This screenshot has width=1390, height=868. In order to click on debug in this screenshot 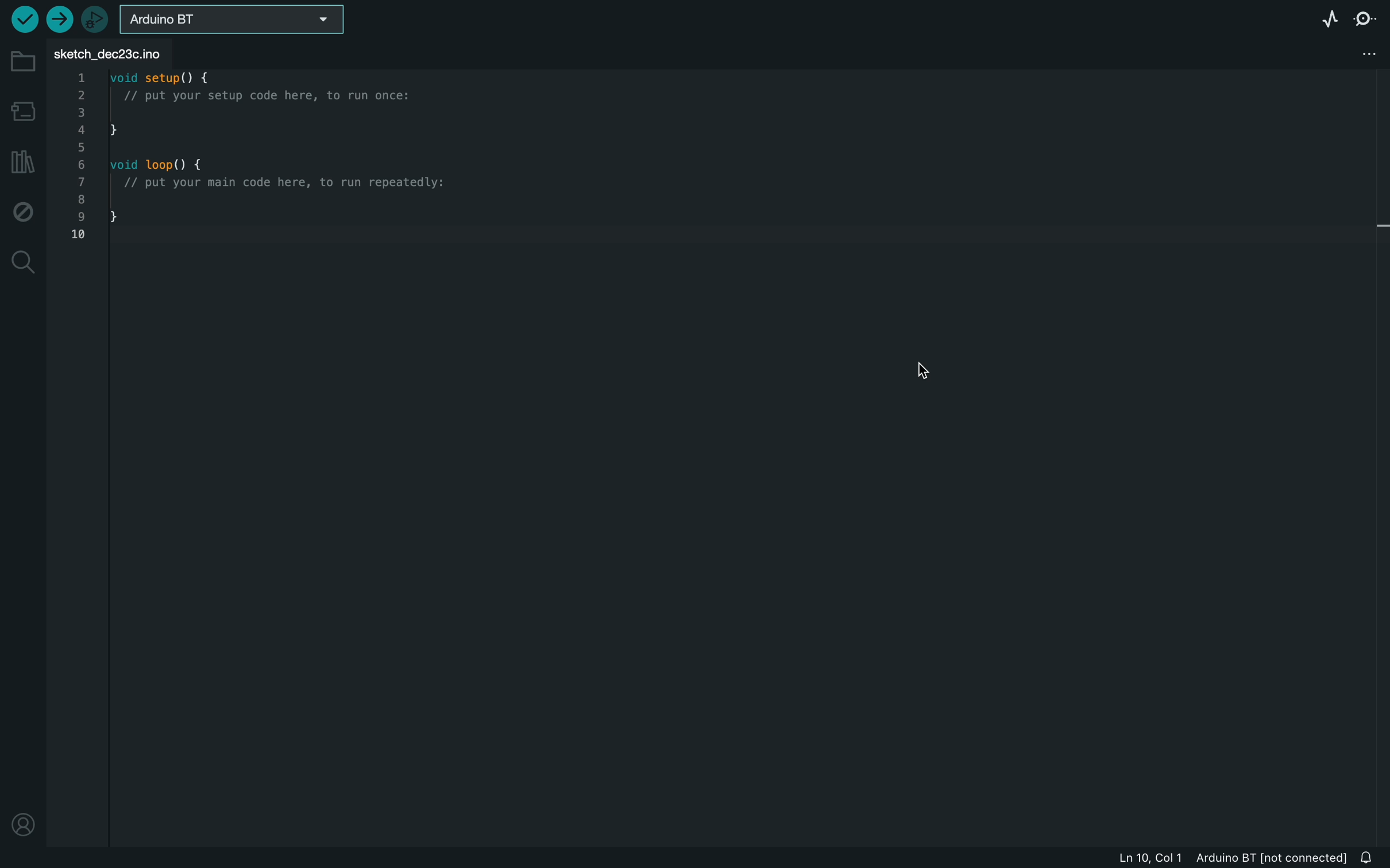, I will do `click(23, 210)`.